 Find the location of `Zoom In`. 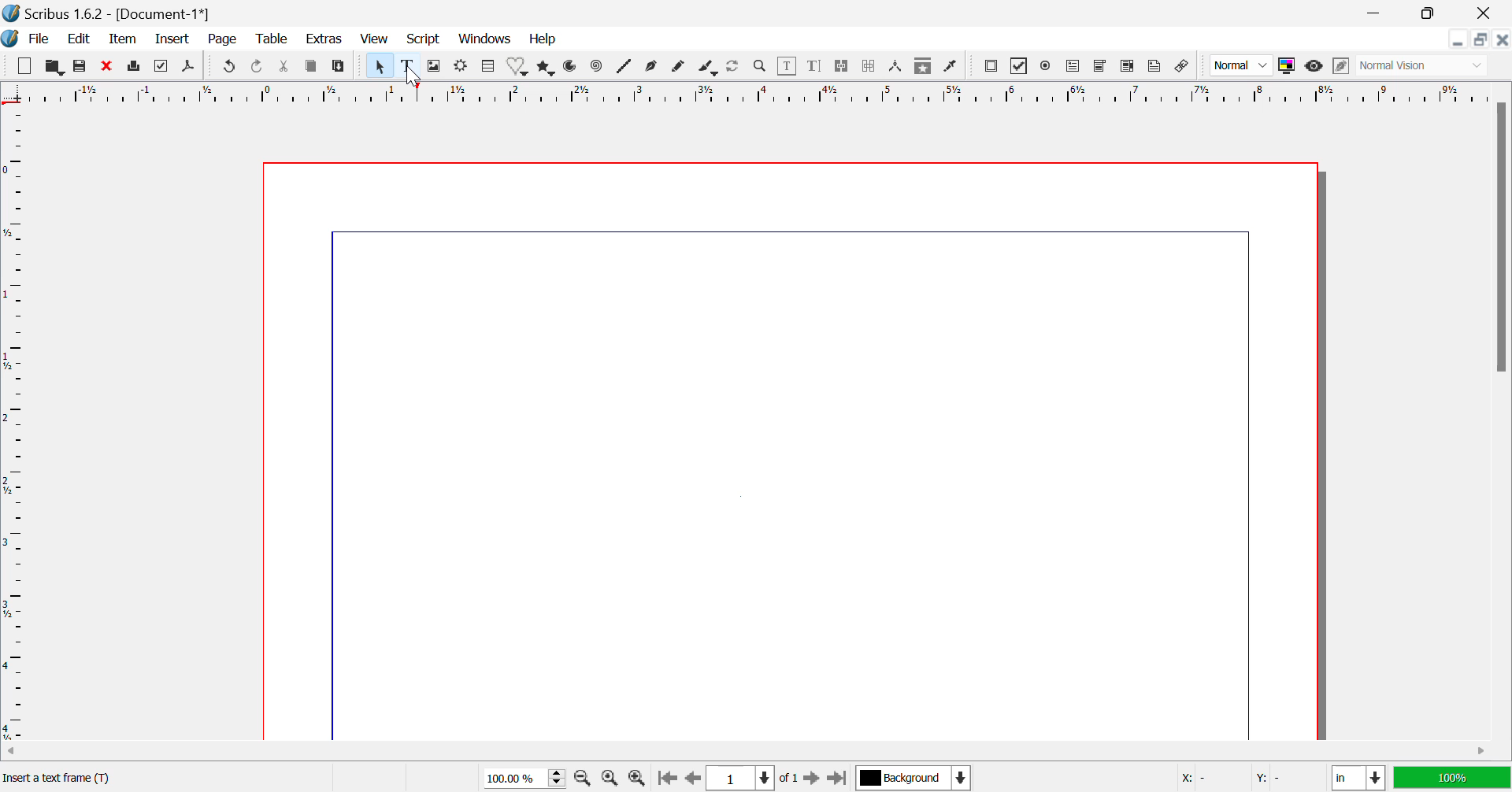

Zoom In is located at coordinates (636, 779).